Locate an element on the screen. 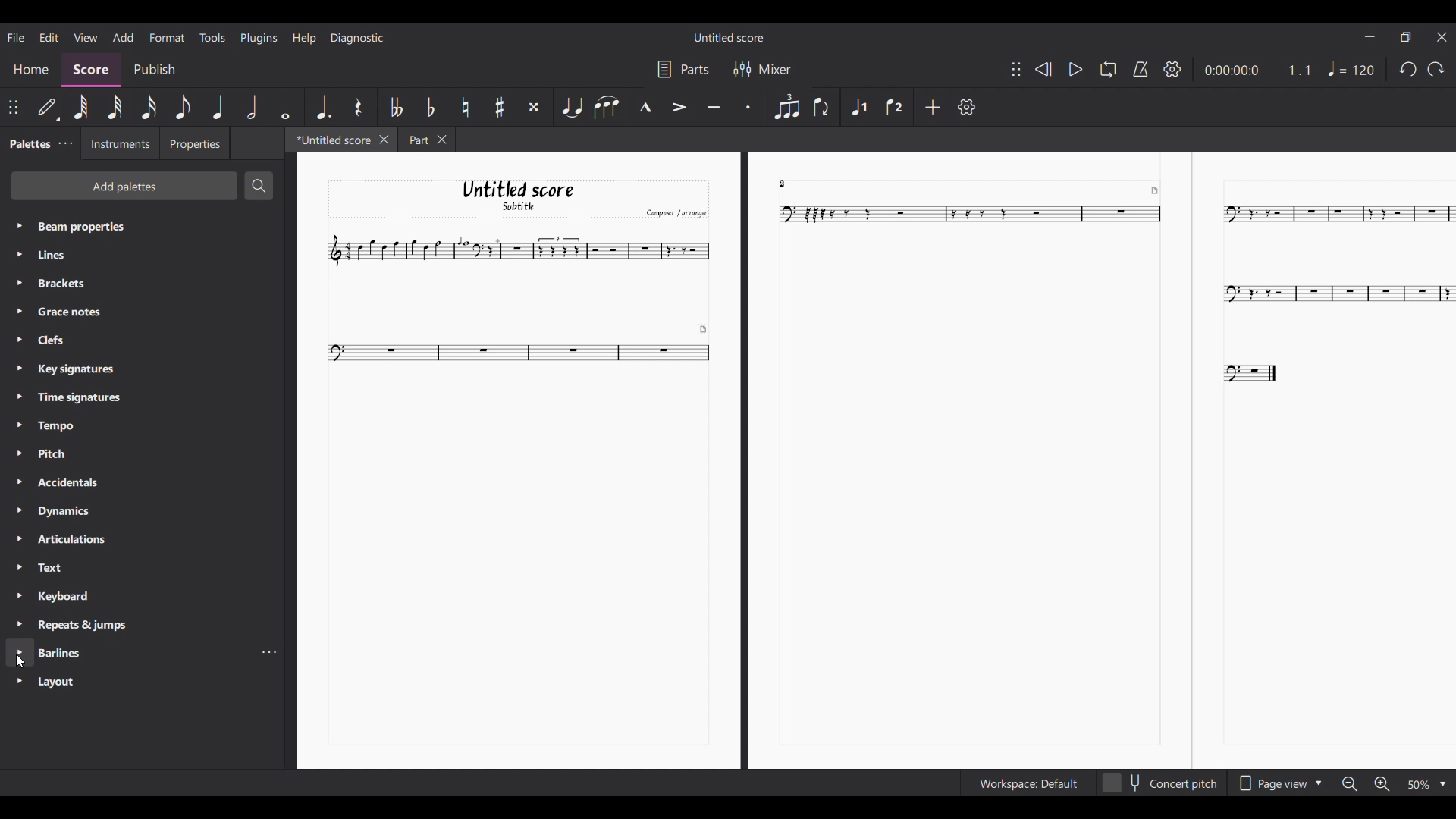  Redo is located at coordinates (1436, 69).